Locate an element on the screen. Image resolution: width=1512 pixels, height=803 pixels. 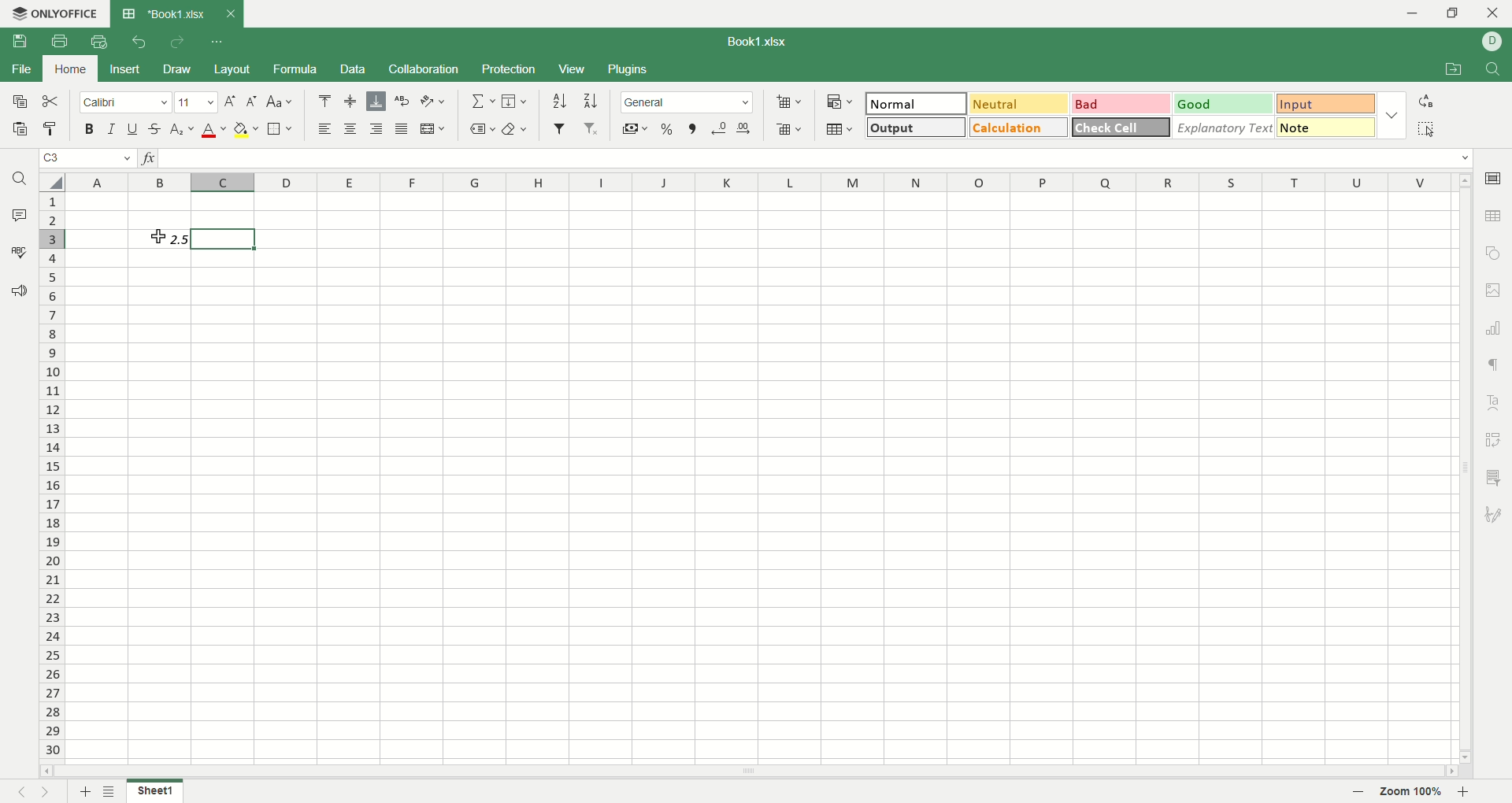
image settings is located at coordinates (1495, 290).